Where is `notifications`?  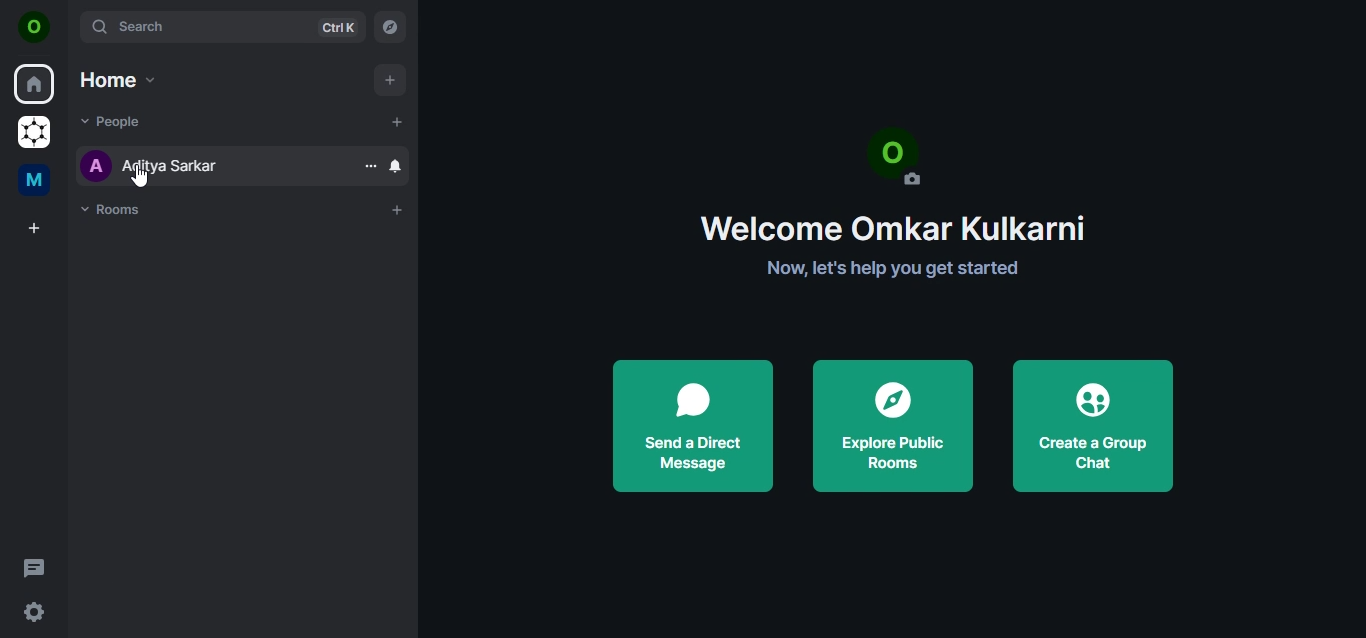 notifications is located at coordinates (395, 168).